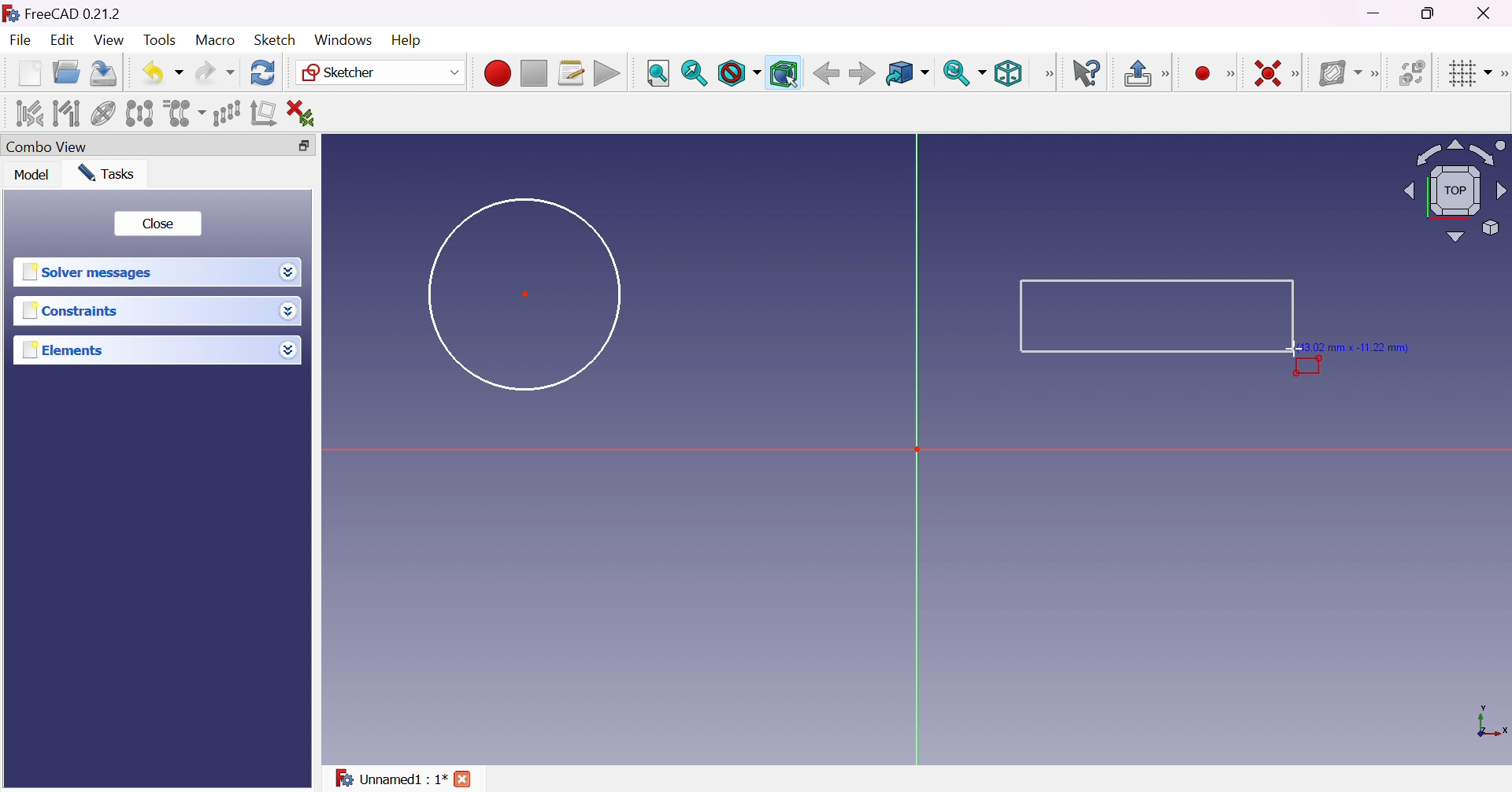 Image resolution: width=1512 pixels, height=792 pixels. Describe the element at coordinates (31, 175) in the screenshot. I see `Model` at that location.